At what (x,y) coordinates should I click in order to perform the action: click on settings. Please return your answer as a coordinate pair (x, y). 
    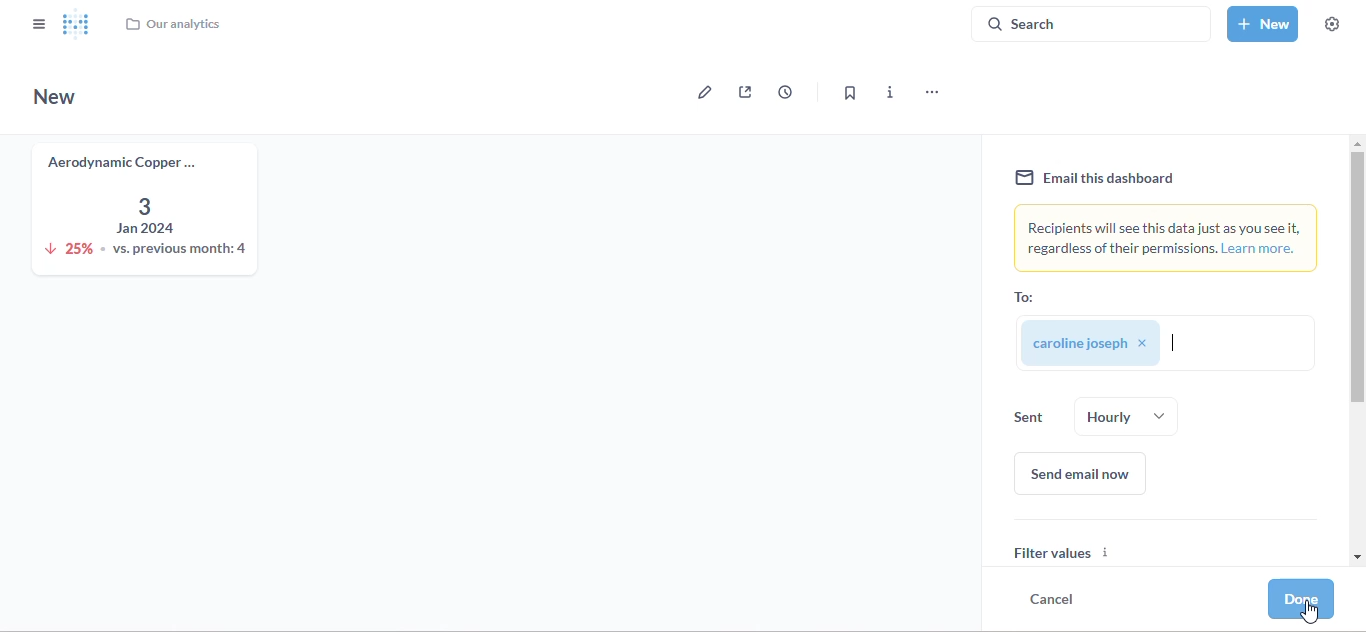
    Looking at the image, I should click on (1332, 24).